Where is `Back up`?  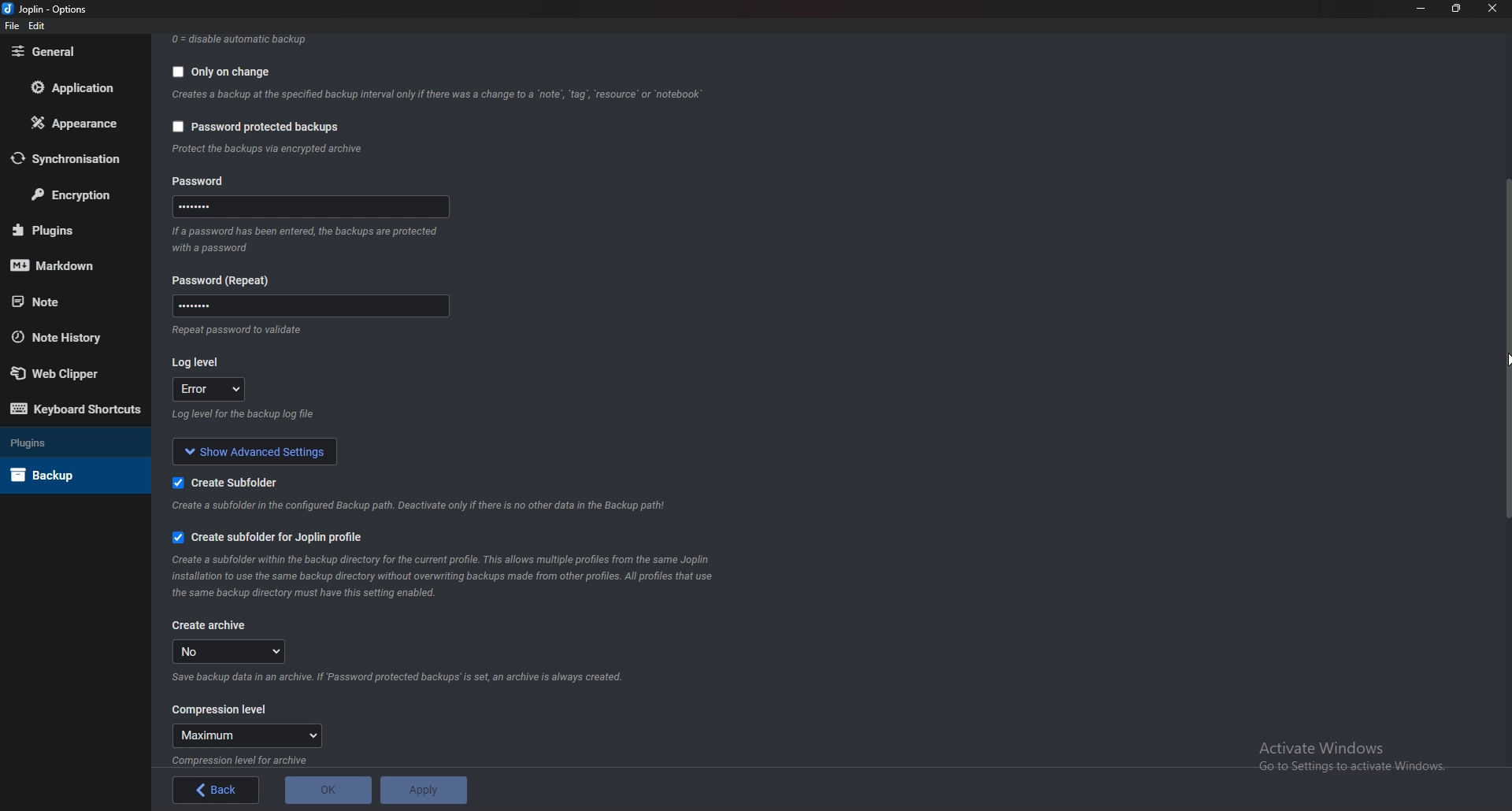 Back up is located at coordinates (69, 474).